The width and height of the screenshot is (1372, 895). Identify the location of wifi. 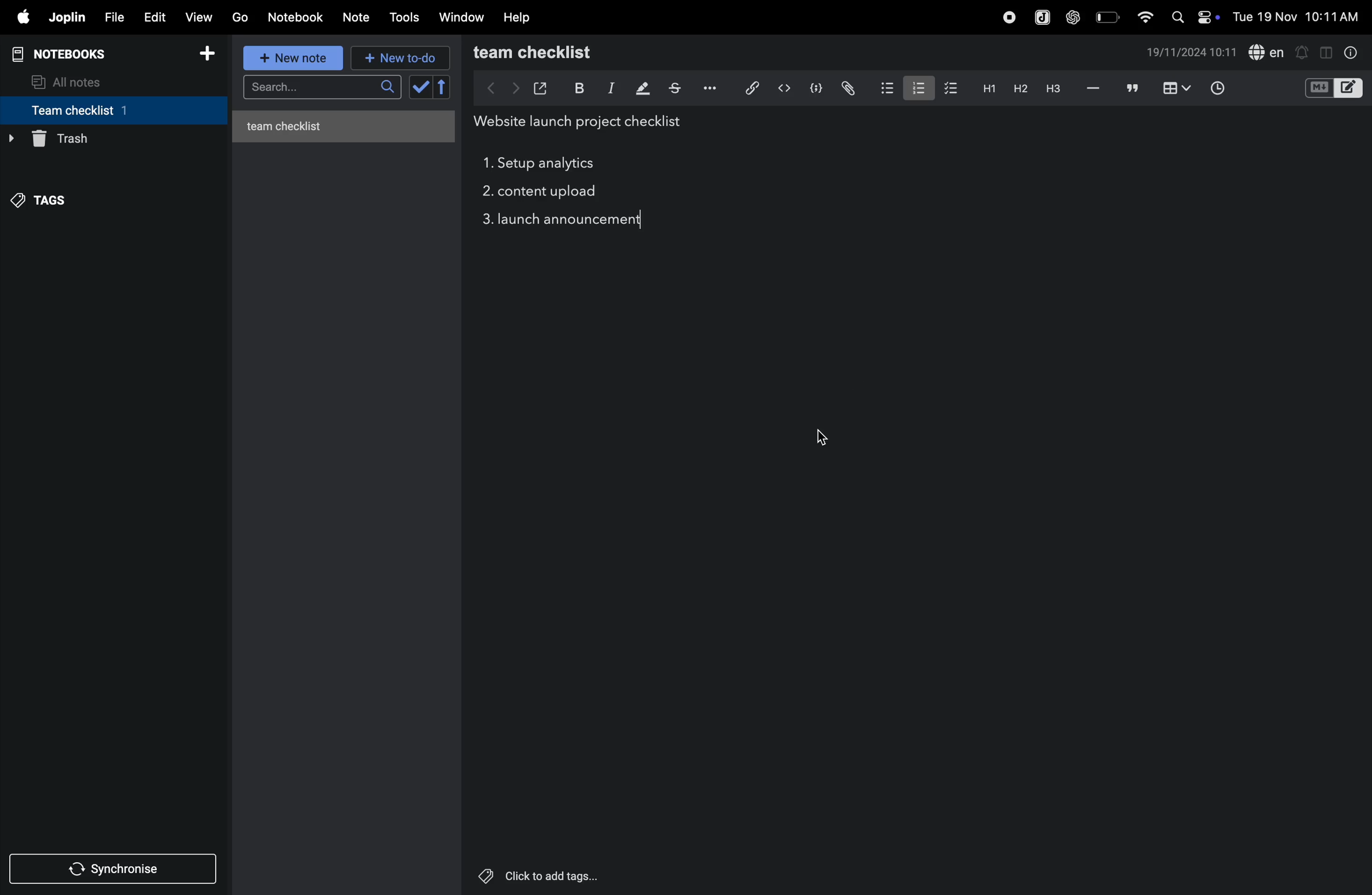
(1141, 16).